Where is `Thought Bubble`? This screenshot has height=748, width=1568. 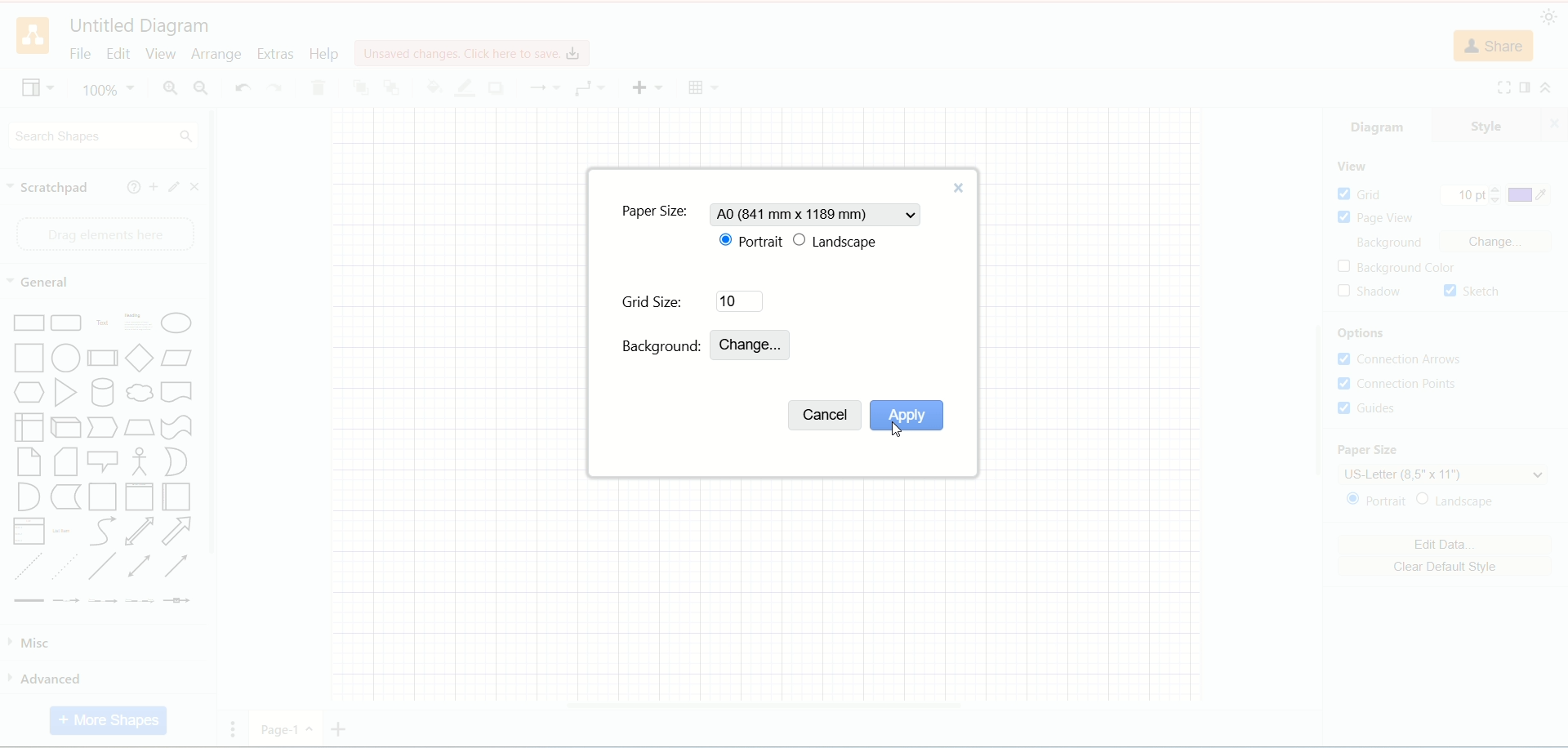
Thought Bubble is located at coordinates (140, 394).